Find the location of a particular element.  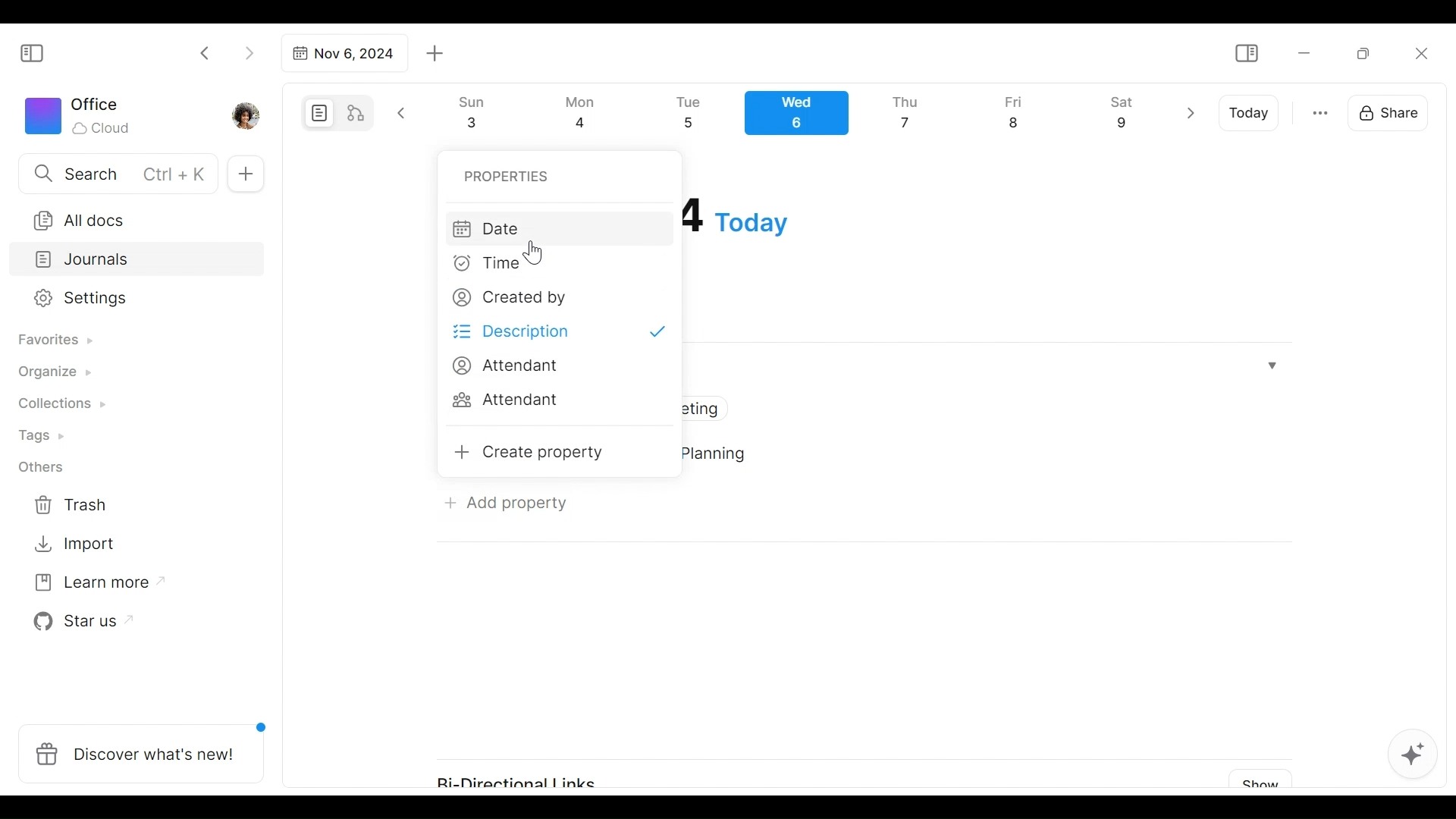

Share is located at coordinates (1393, 111).